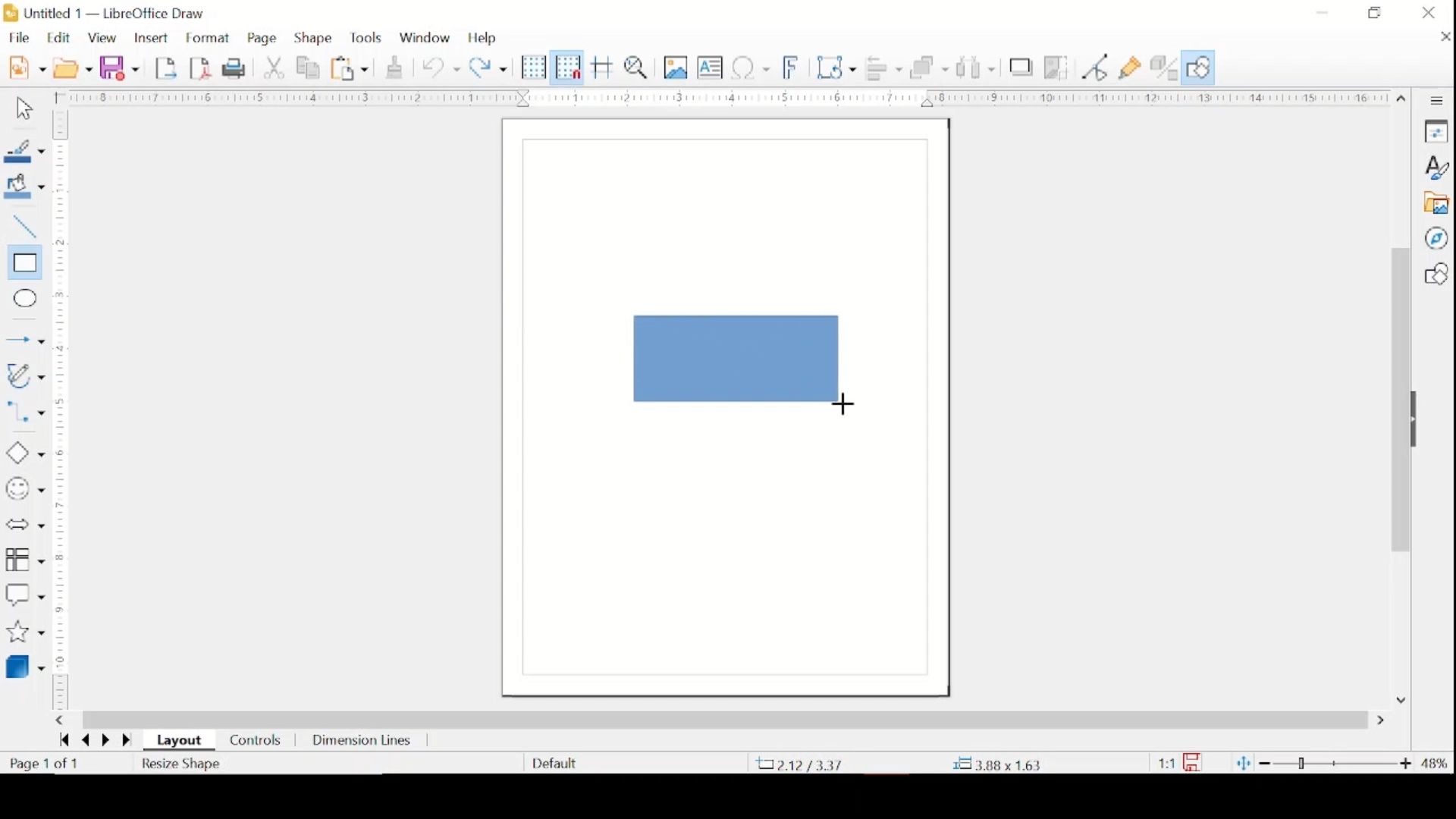  What do you see at coordinates (73, 67) in the screenshot?
I see `open` at bounding box center [73, 67].